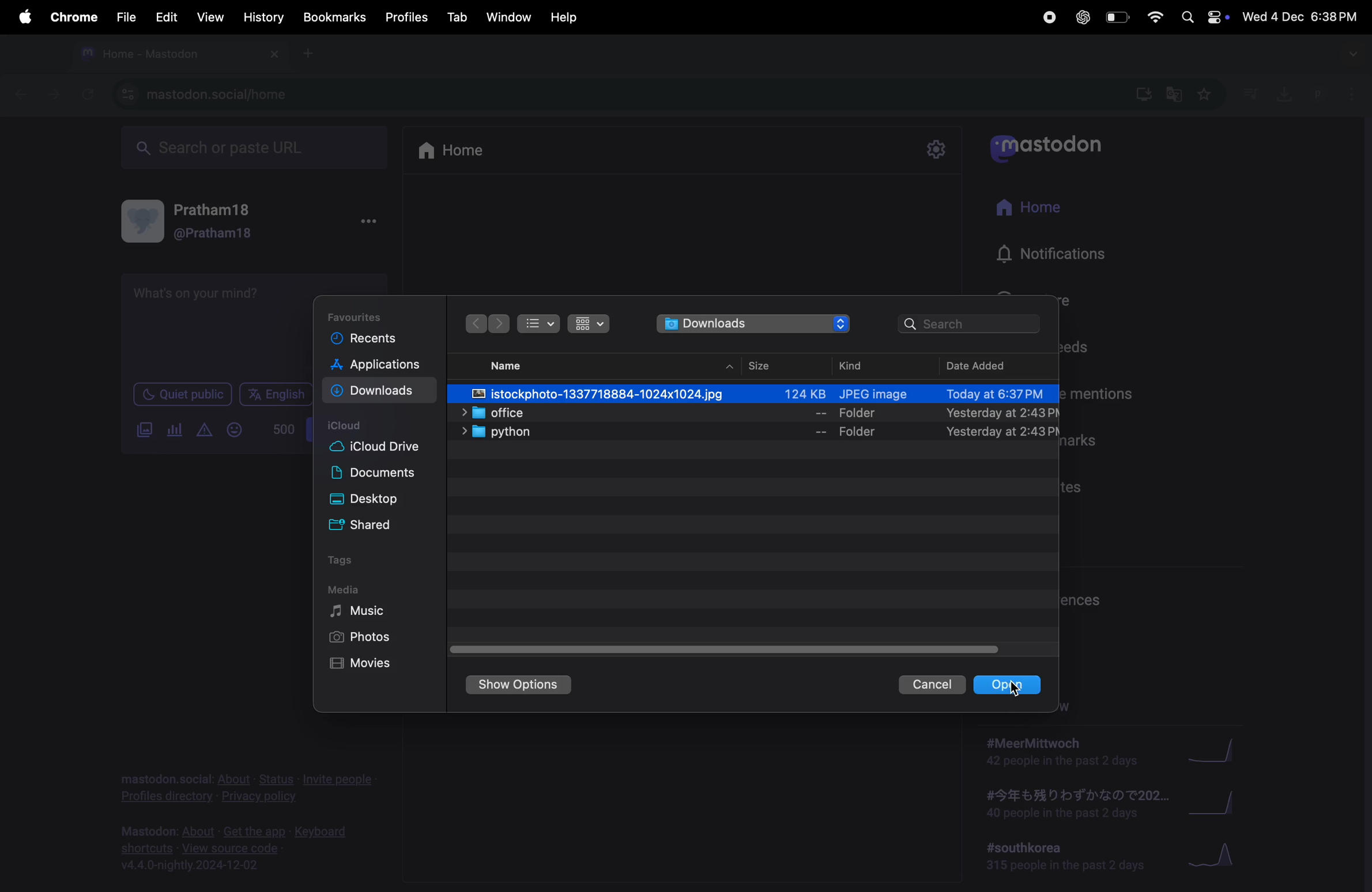 This screenshot has width=1372, height=892. Describe the element at coordinates (1175, 97) in the screenshot. I see `translate` at that location.